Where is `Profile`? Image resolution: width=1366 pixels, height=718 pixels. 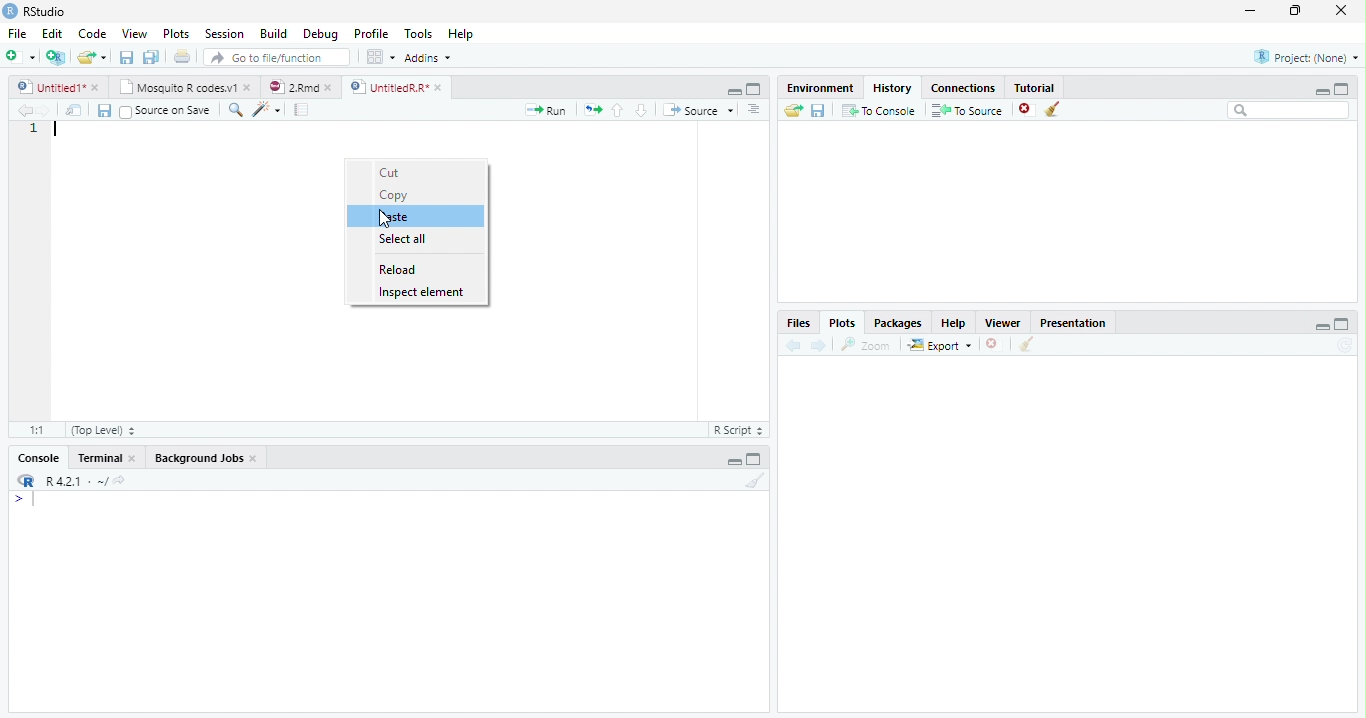 Profile is located at coordinates (372, 35).